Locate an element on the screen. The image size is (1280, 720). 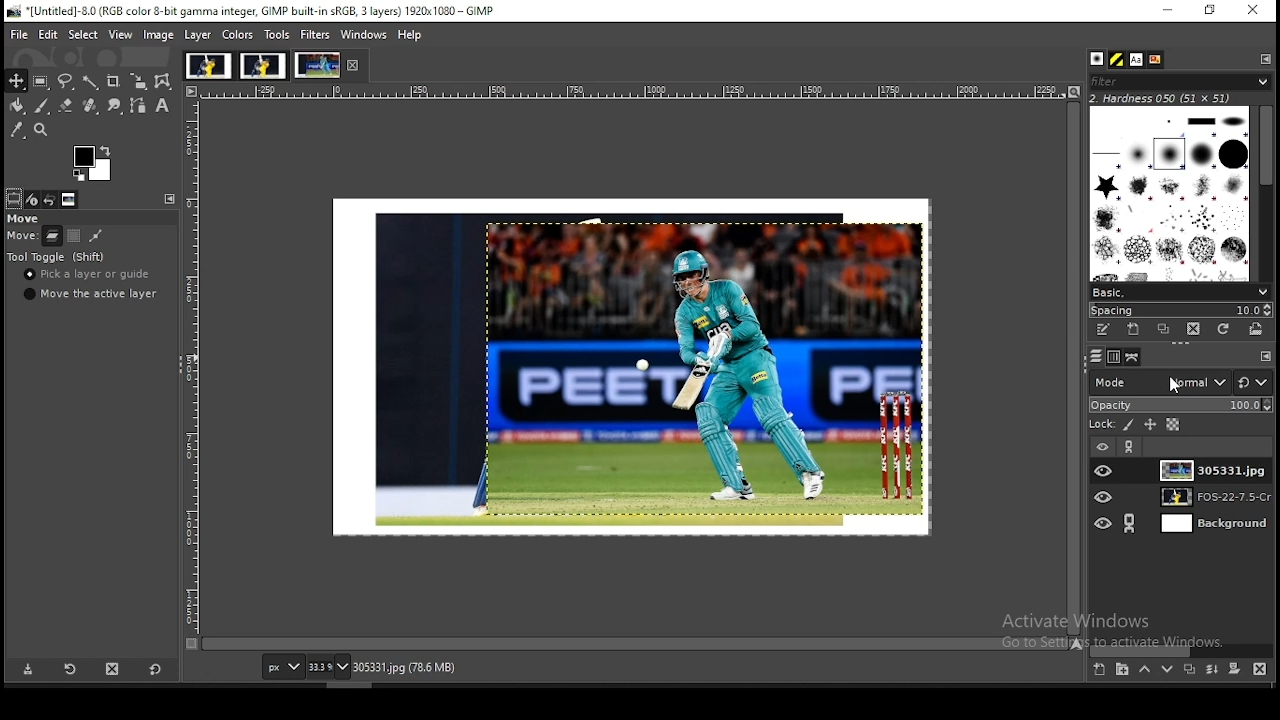
delete tool preset is located at coordinates (110, 669).